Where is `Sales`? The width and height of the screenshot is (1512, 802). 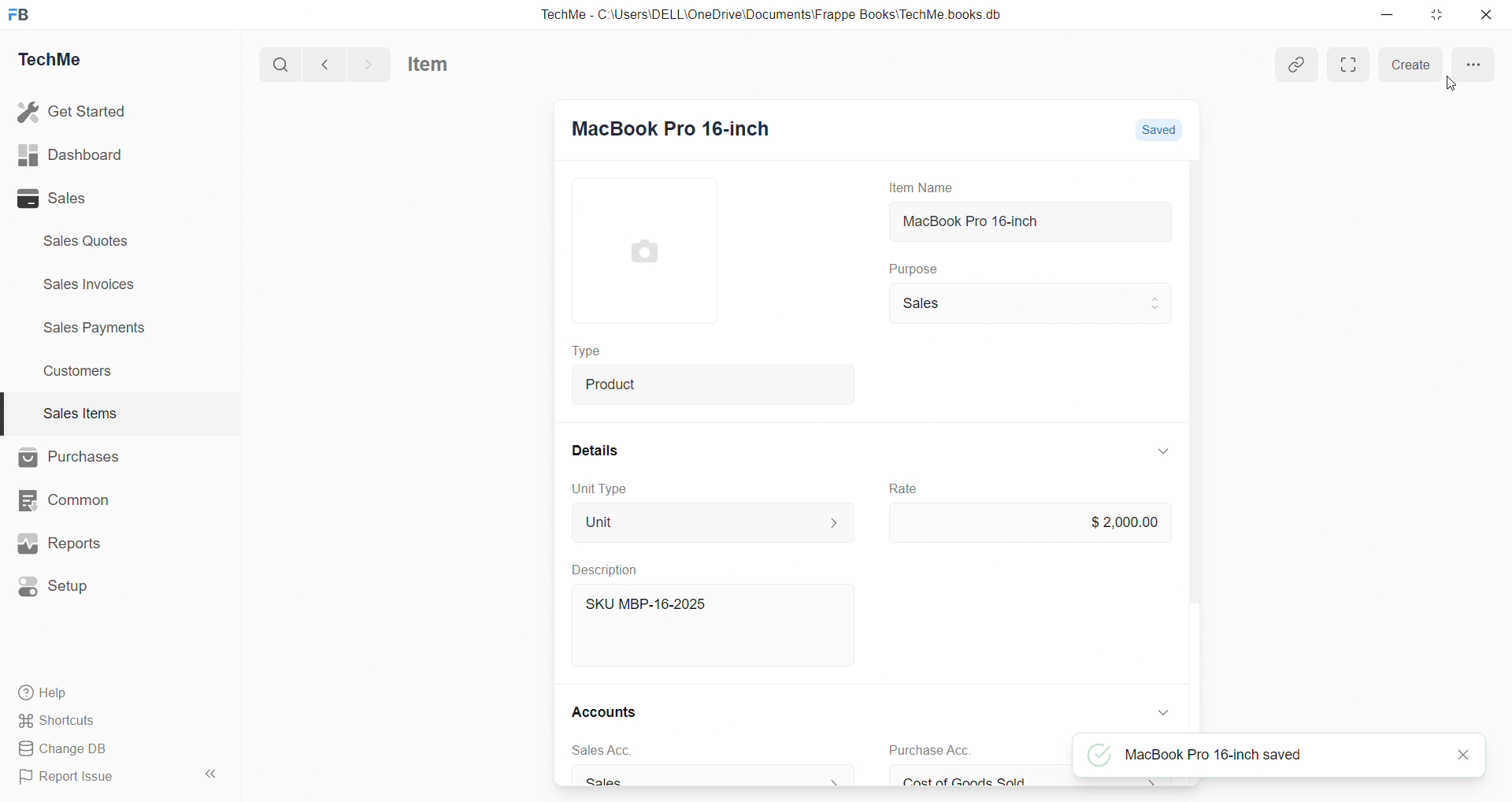 Sales is located at coordinates (712, 778).